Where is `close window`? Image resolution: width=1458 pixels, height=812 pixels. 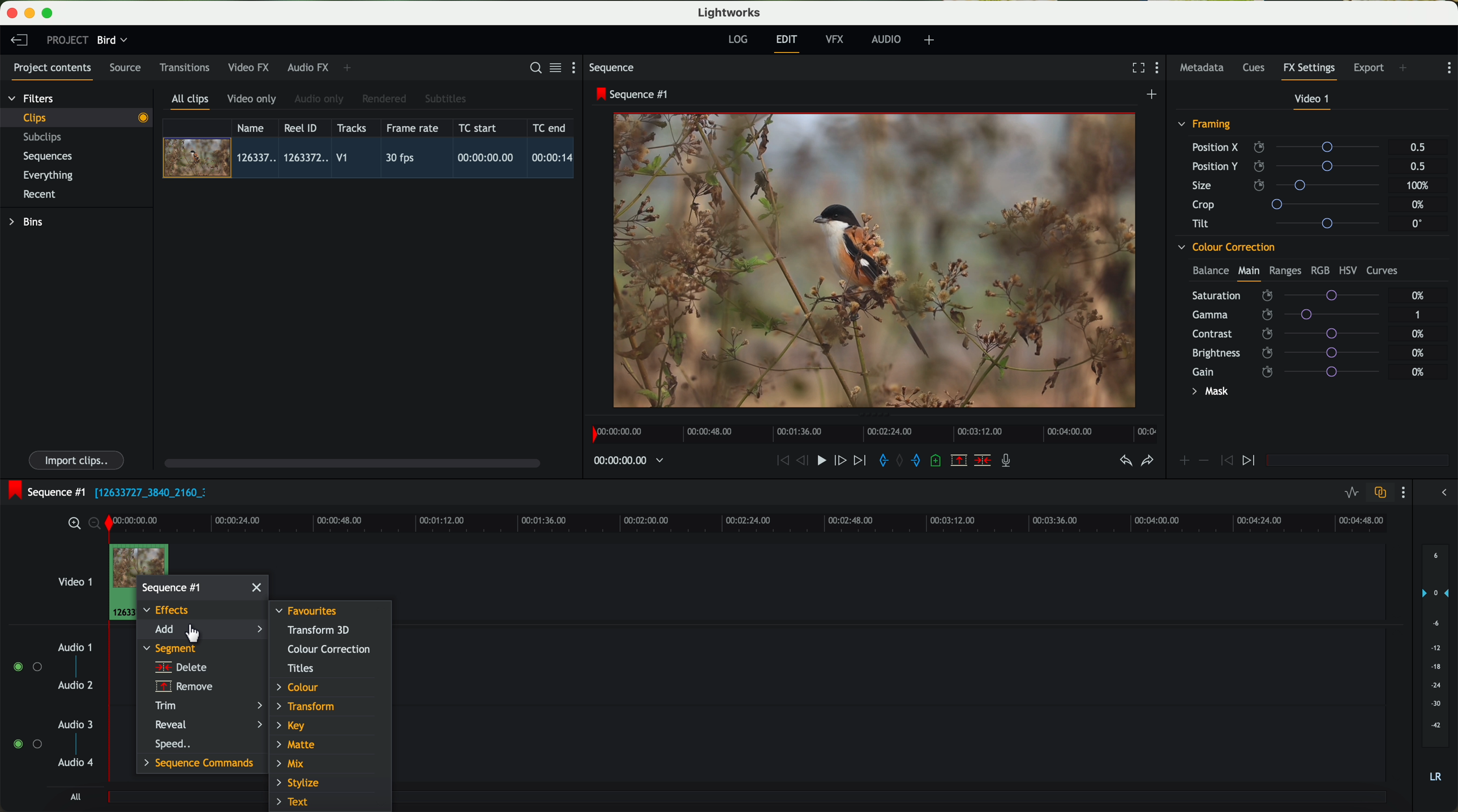
close window is located at coordinates (255, 587).